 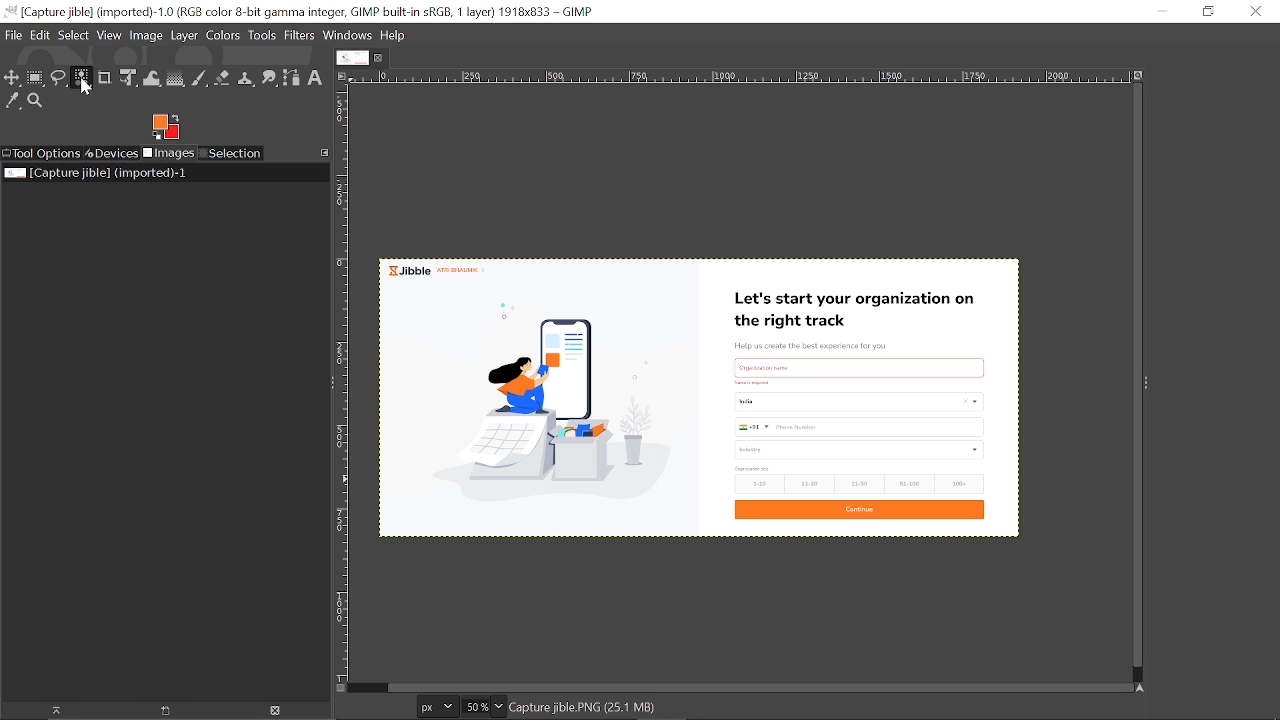 What do you see at coordinates (1133, 377) in the screenshot?
I see `Vertical scrollbar` at bounding box center [1133, 377].